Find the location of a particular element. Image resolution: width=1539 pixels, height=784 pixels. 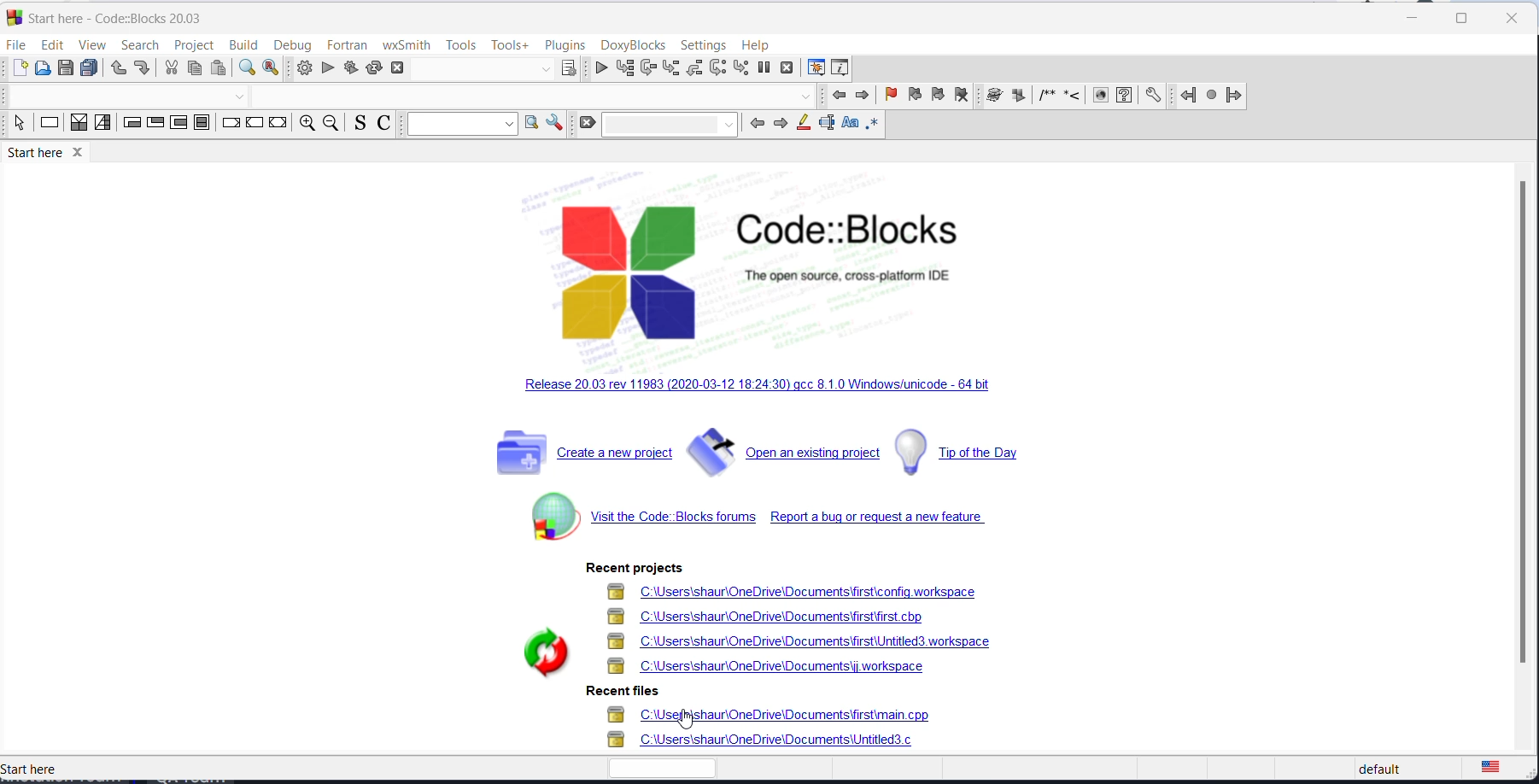

zoom out is located at coordinates (329, 125).